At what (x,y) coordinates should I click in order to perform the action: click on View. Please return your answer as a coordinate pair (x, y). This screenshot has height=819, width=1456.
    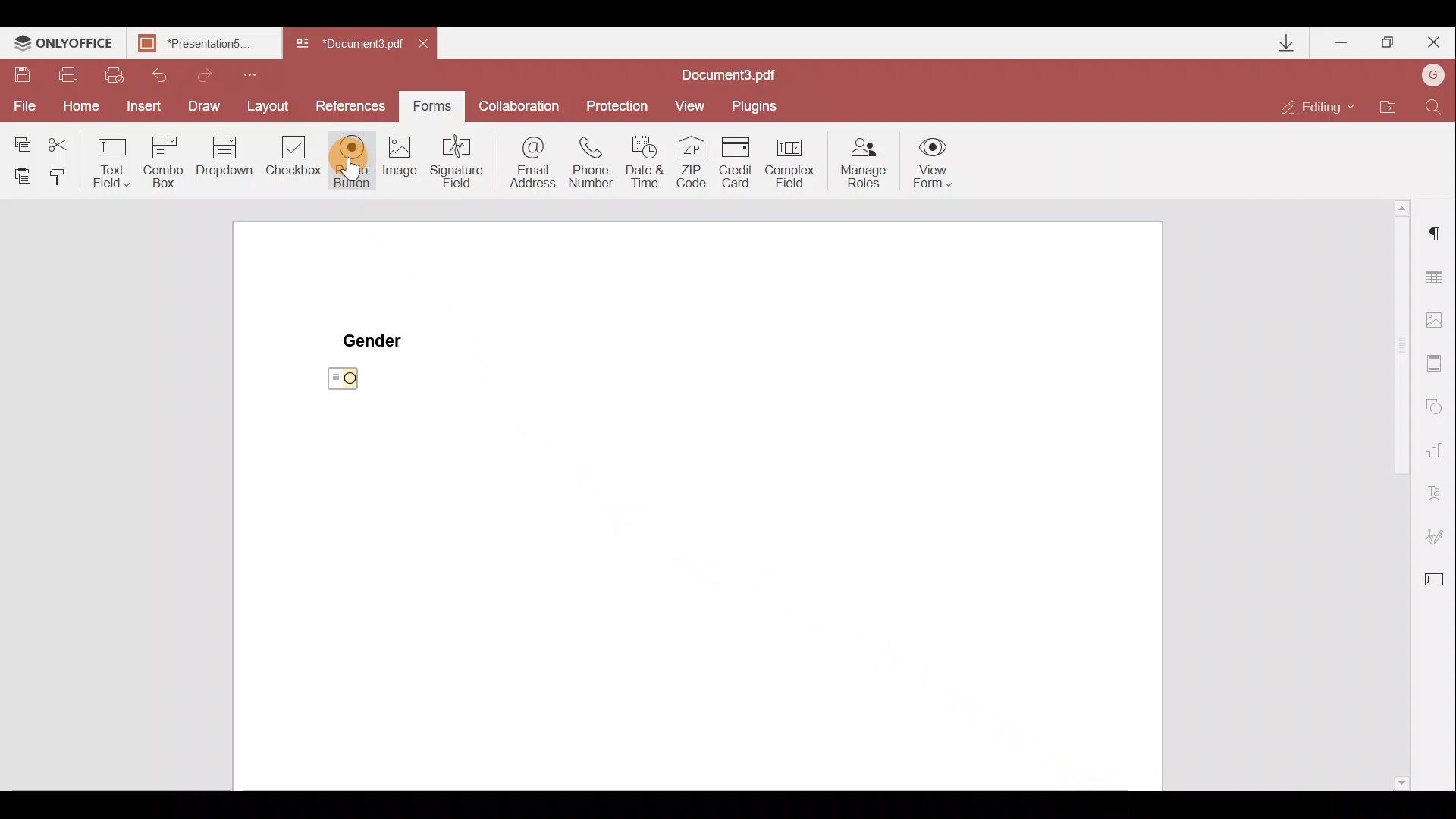
    Looking at the image, I should click on (697, 104).